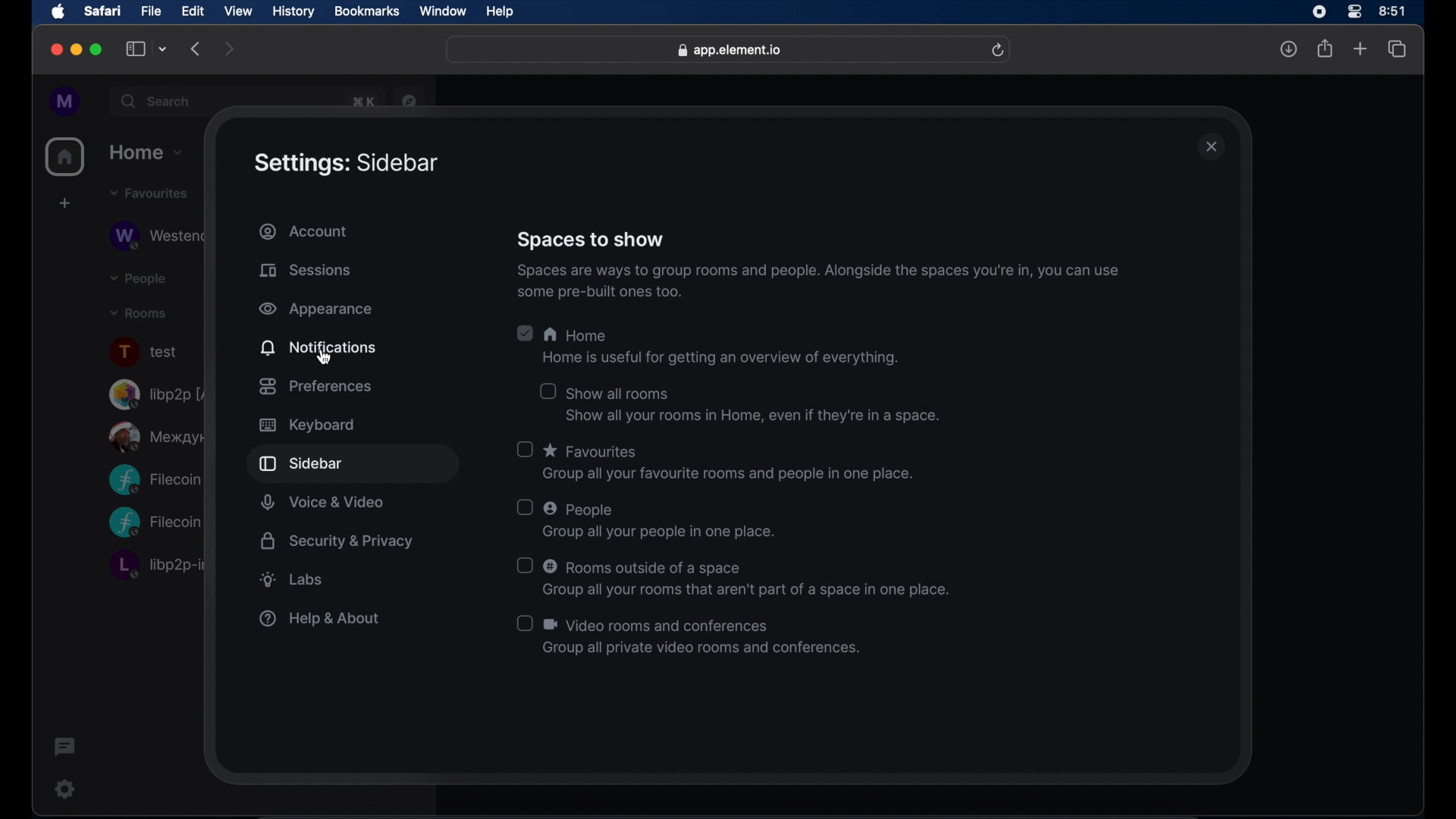 This screenshot has width=1456, height=819. I want to click on create space, so click(64, 203).